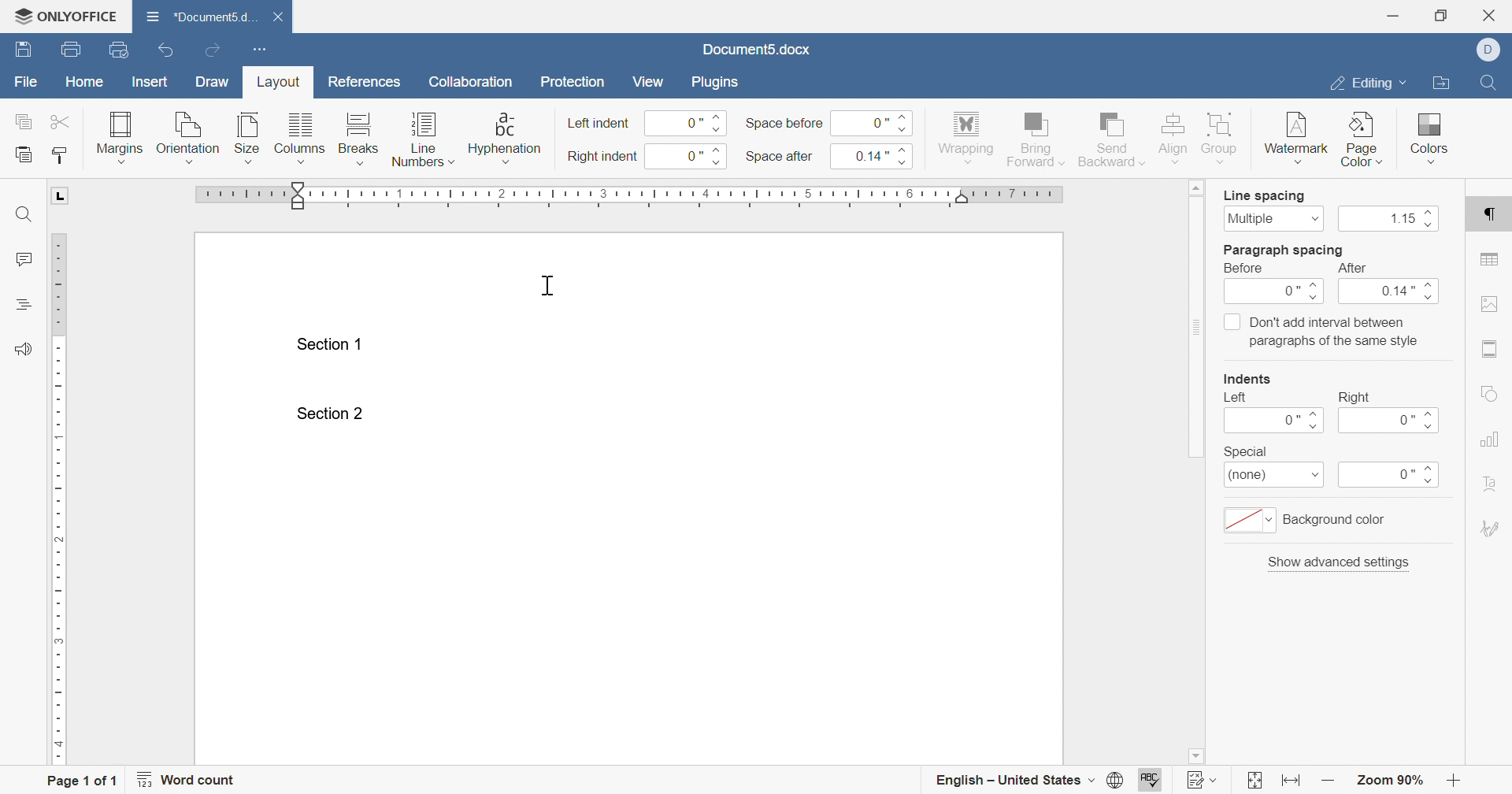 The image size is (1512, 794). I want to click on background color, so click(1309, 520).